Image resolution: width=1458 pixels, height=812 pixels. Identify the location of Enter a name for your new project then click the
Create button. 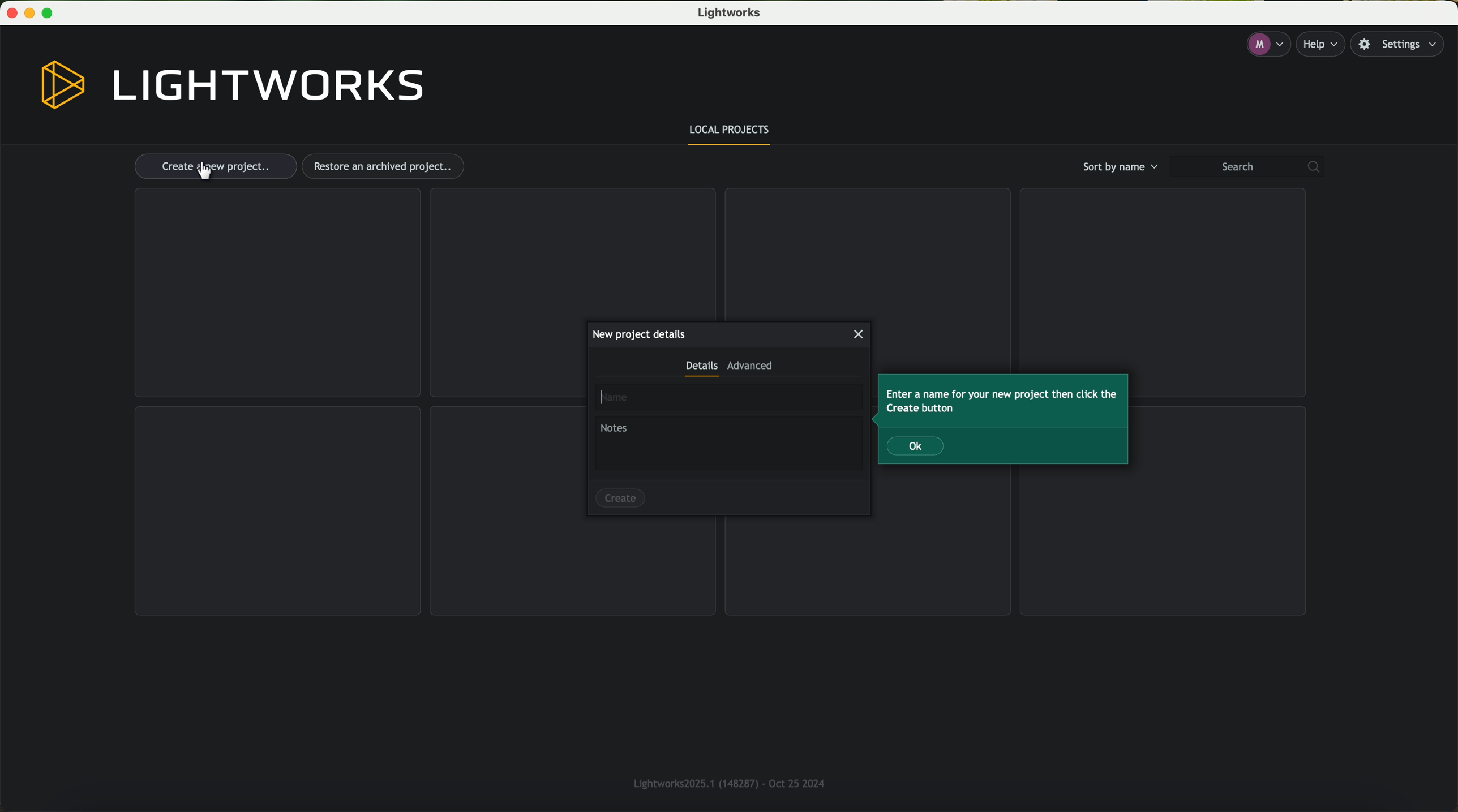
(1001, 401).